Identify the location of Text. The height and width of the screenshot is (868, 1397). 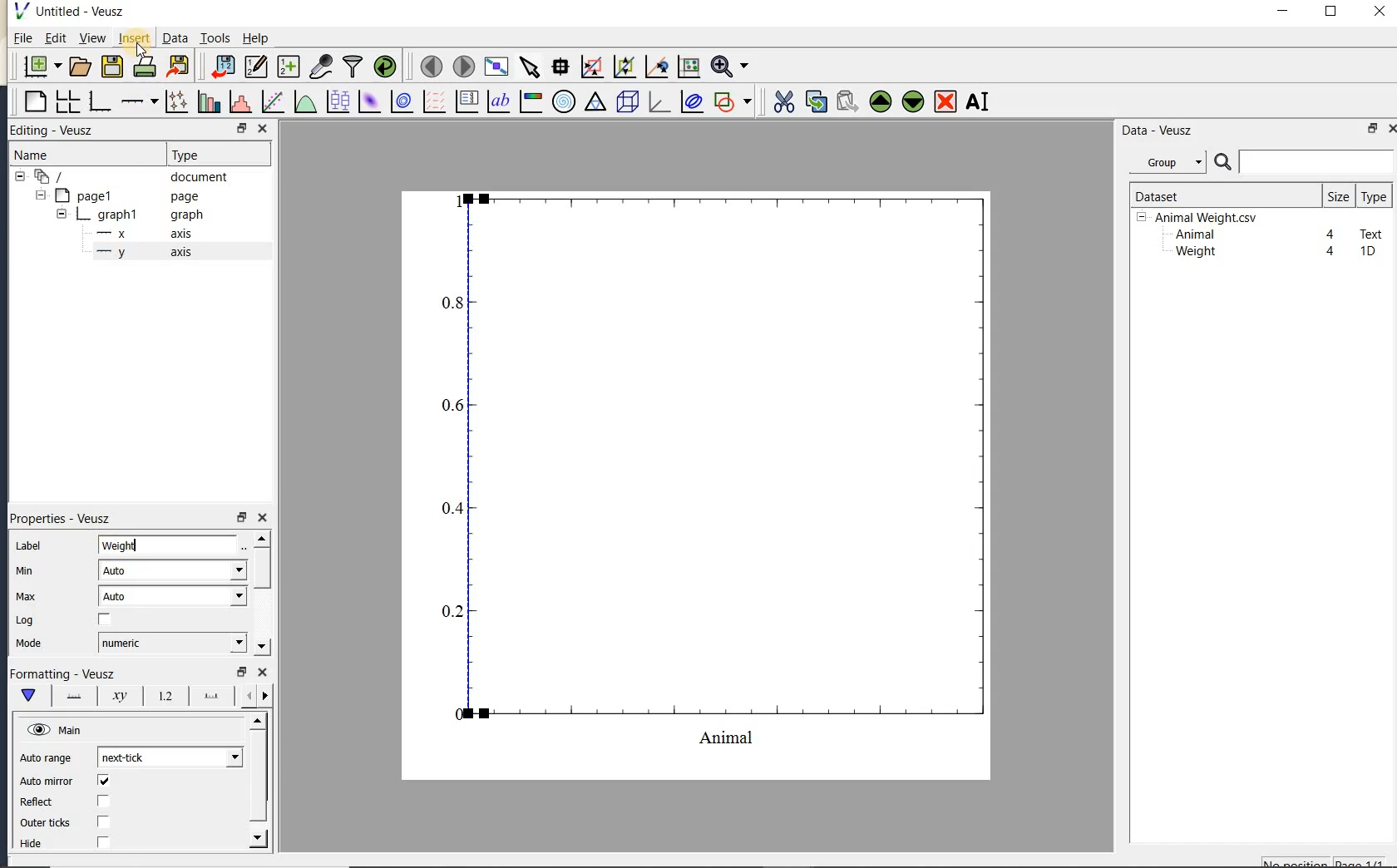
(1372, 232).